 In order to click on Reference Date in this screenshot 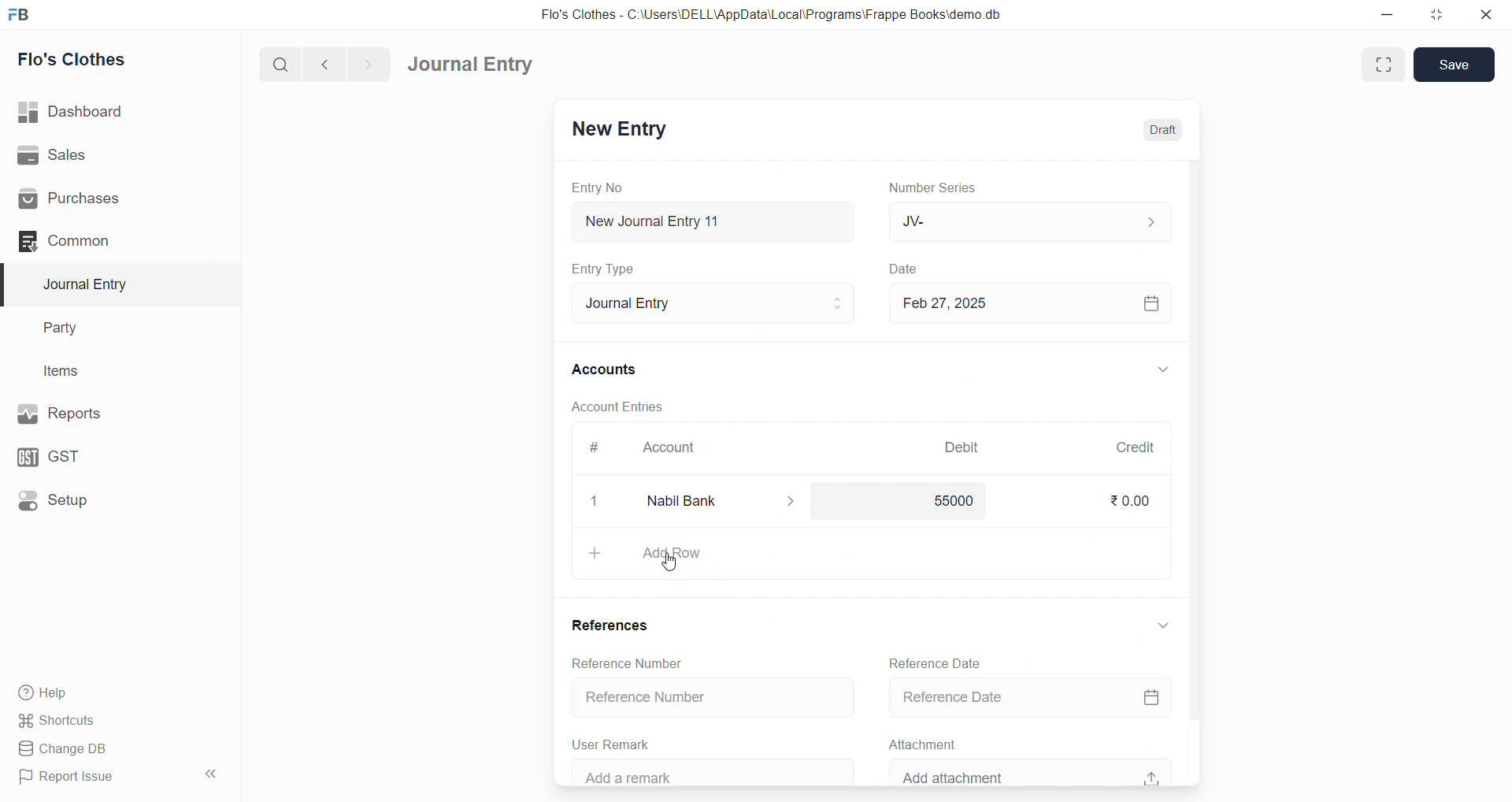, I will do `click(935, 662)`.